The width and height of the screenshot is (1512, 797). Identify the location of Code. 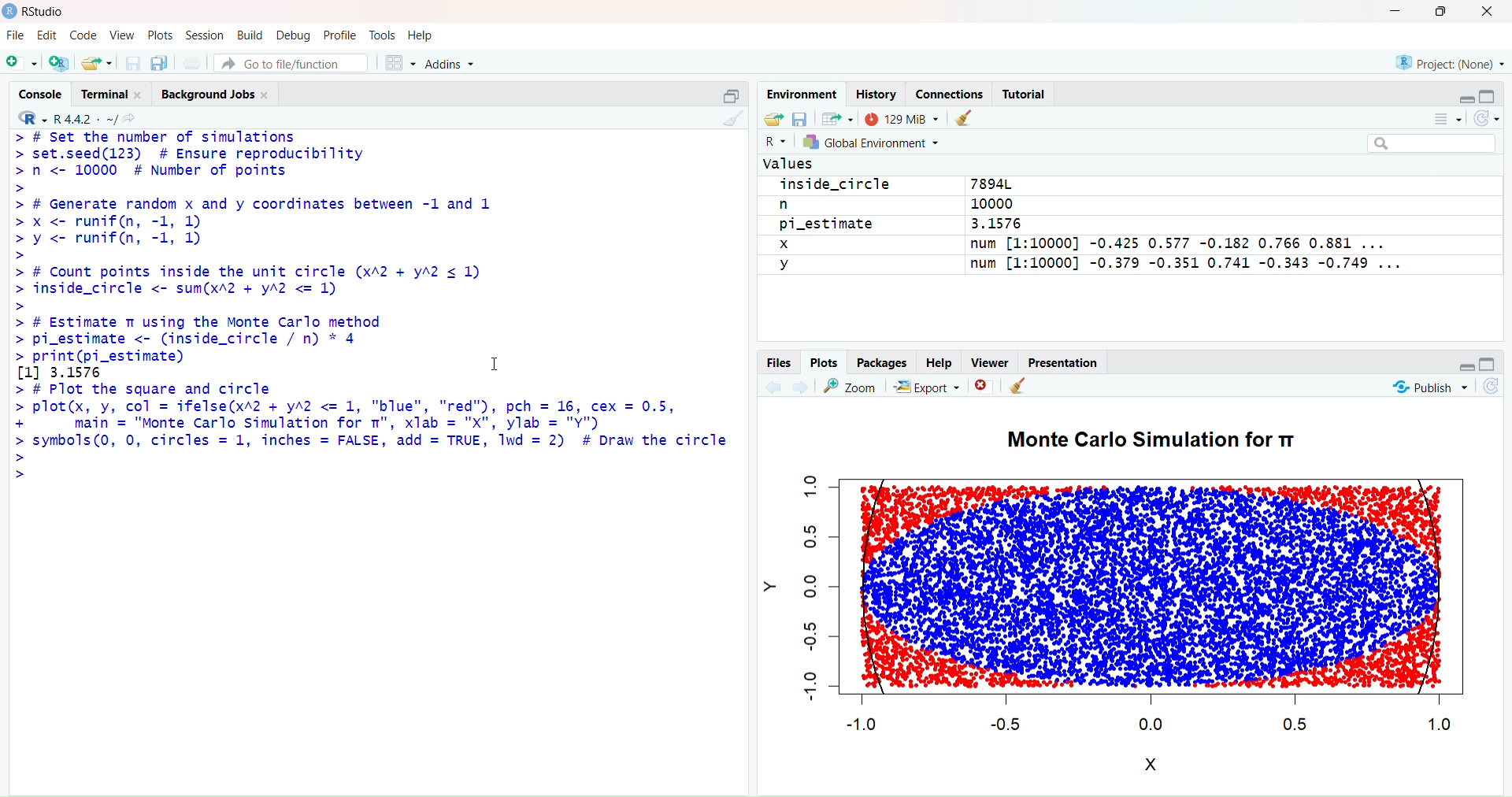
(83, 35).